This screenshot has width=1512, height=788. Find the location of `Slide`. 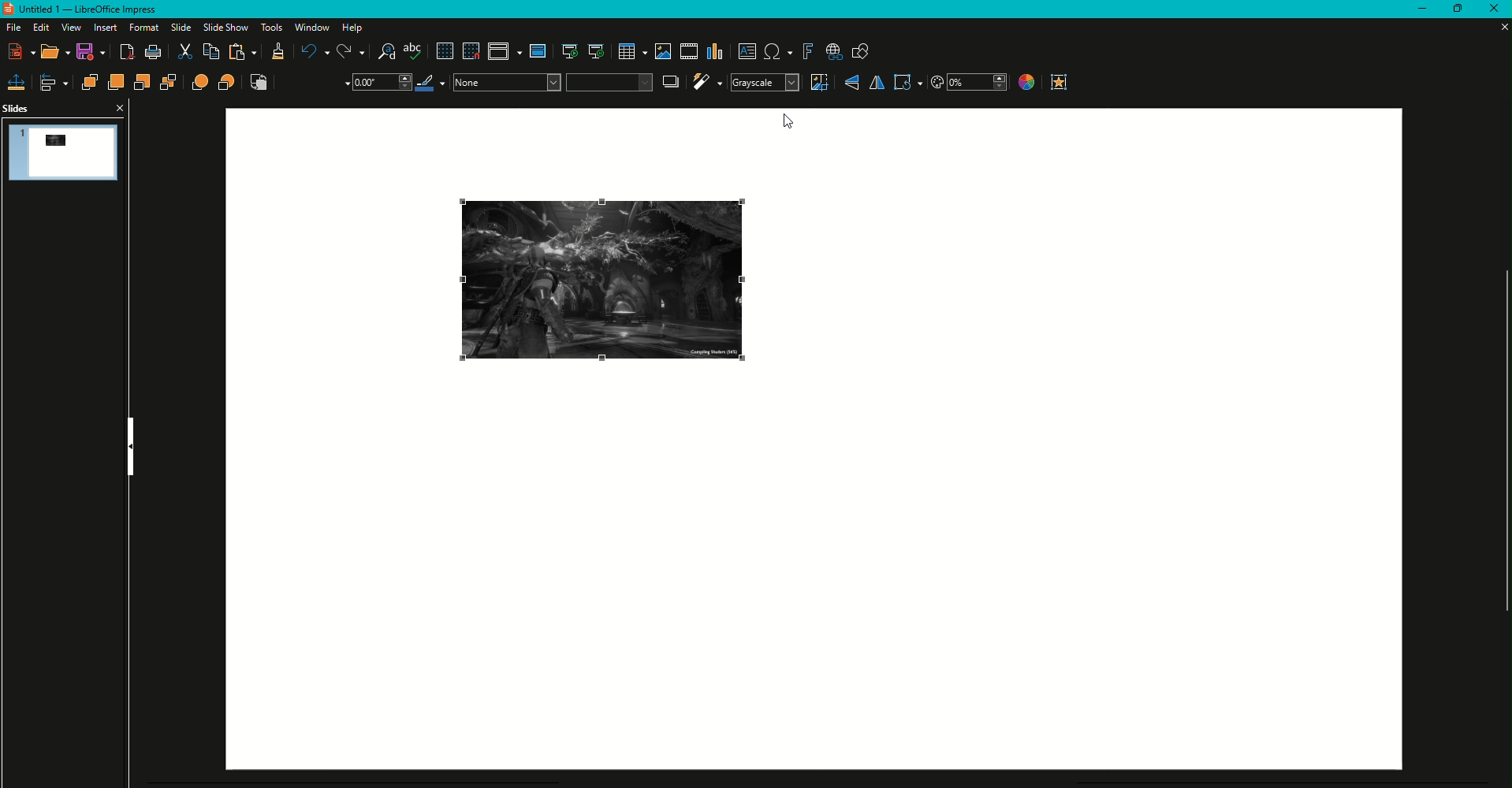

Slide is located at coordinates (177, 28).